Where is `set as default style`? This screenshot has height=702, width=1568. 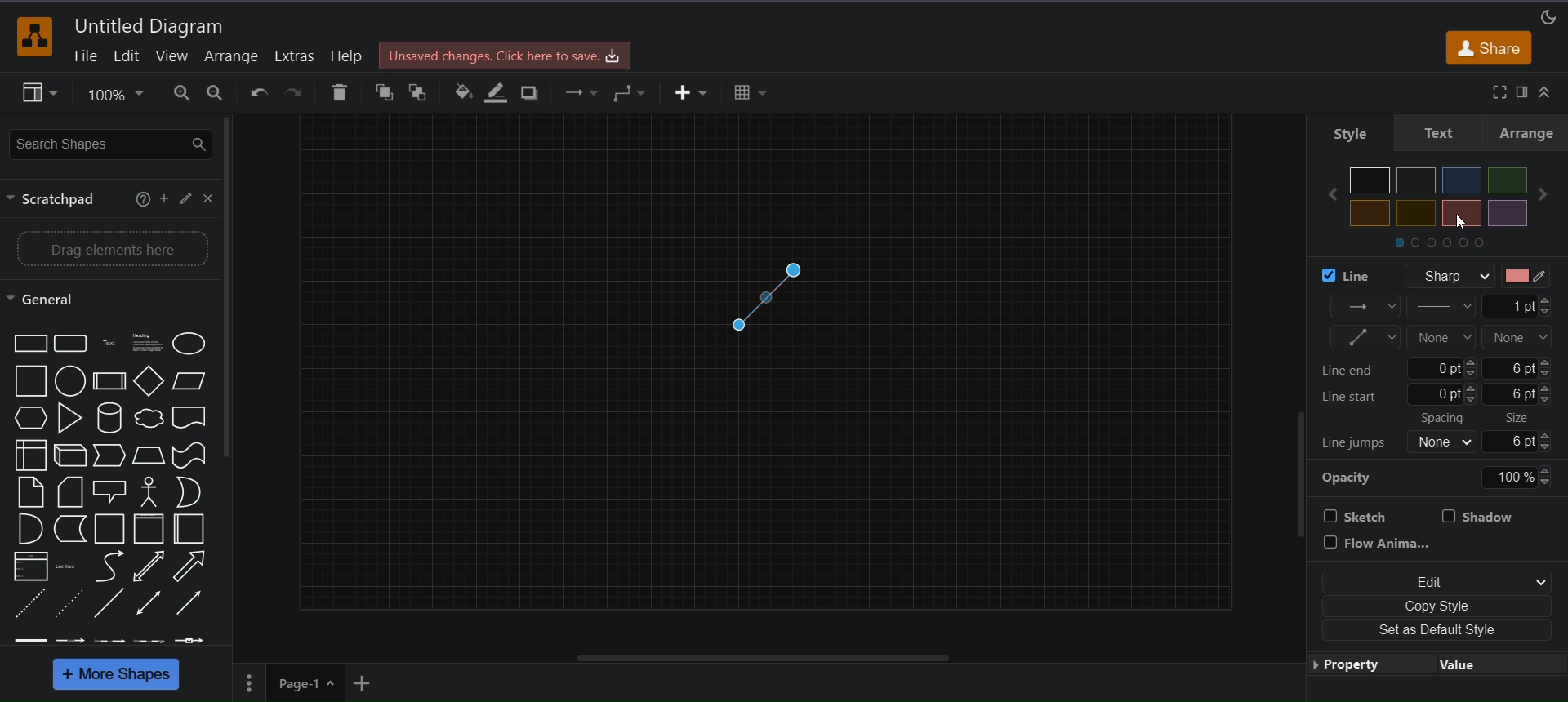 set as default style is located at coordinates (1433, 632).